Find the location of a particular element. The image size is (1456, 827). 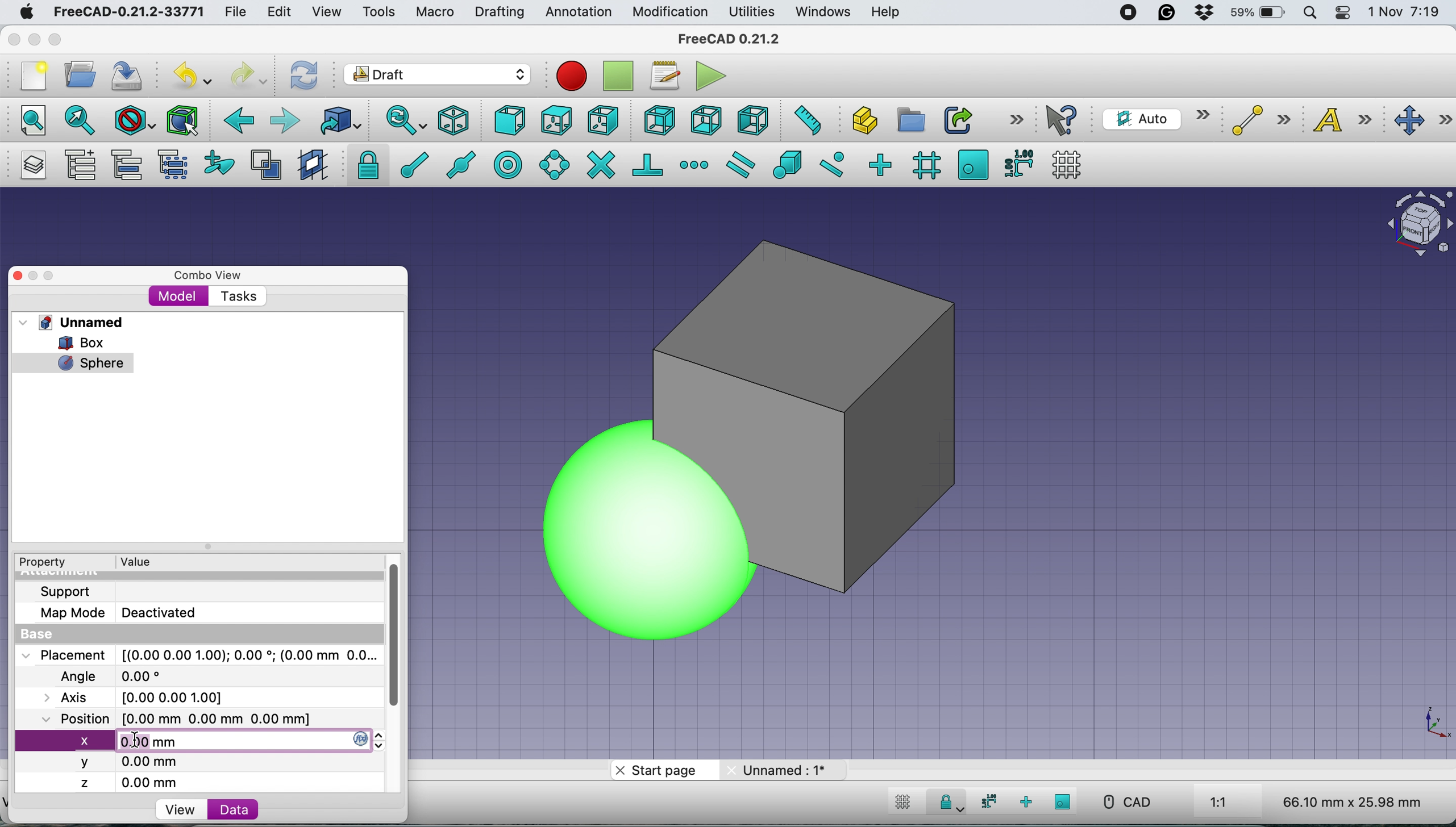

move is located at coordinates (1424, 121).